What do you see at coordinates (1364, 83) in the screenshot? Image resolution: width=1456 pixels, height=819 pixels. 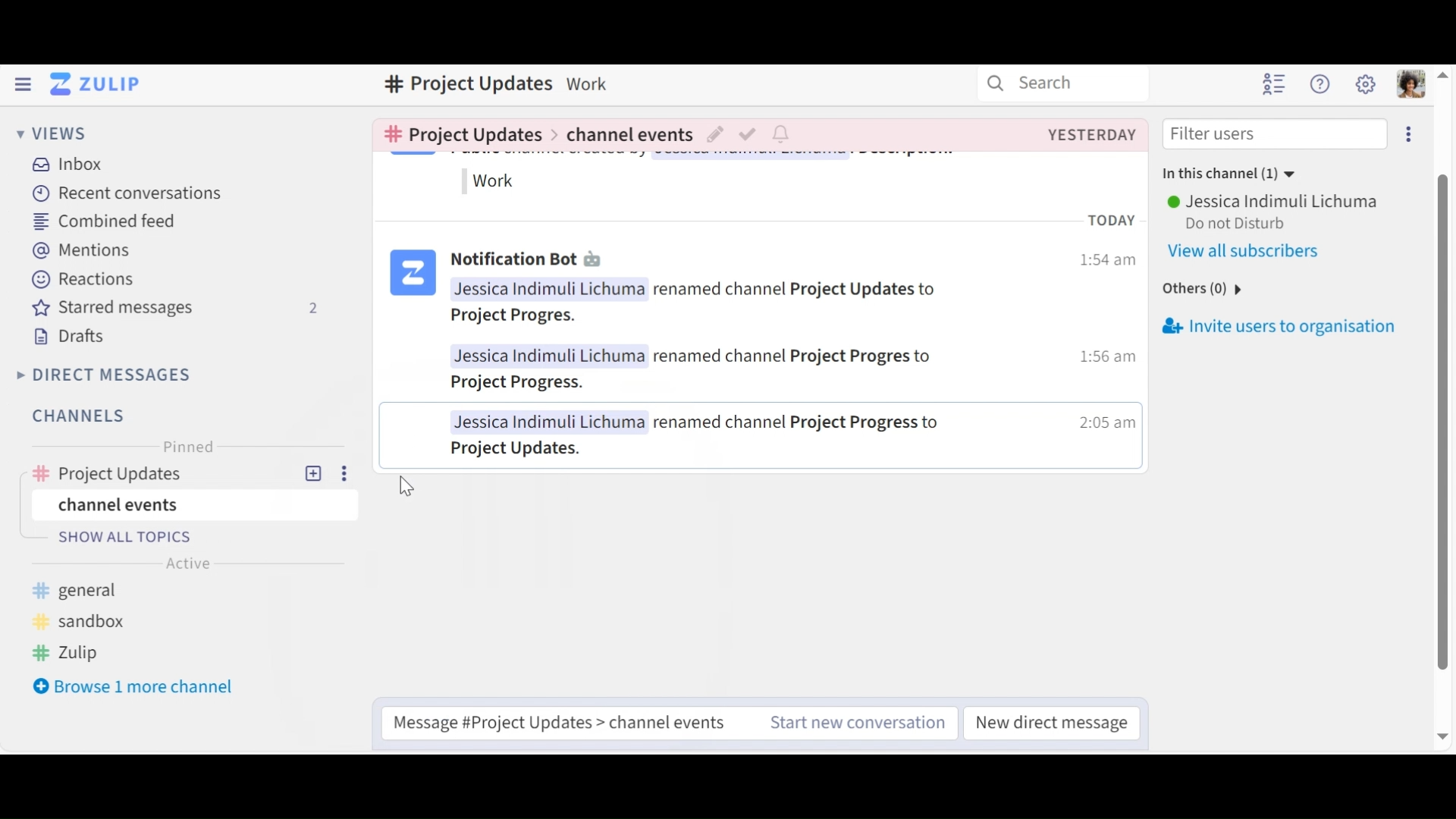 I see `Main menu` at bounding box center [1364, 83].